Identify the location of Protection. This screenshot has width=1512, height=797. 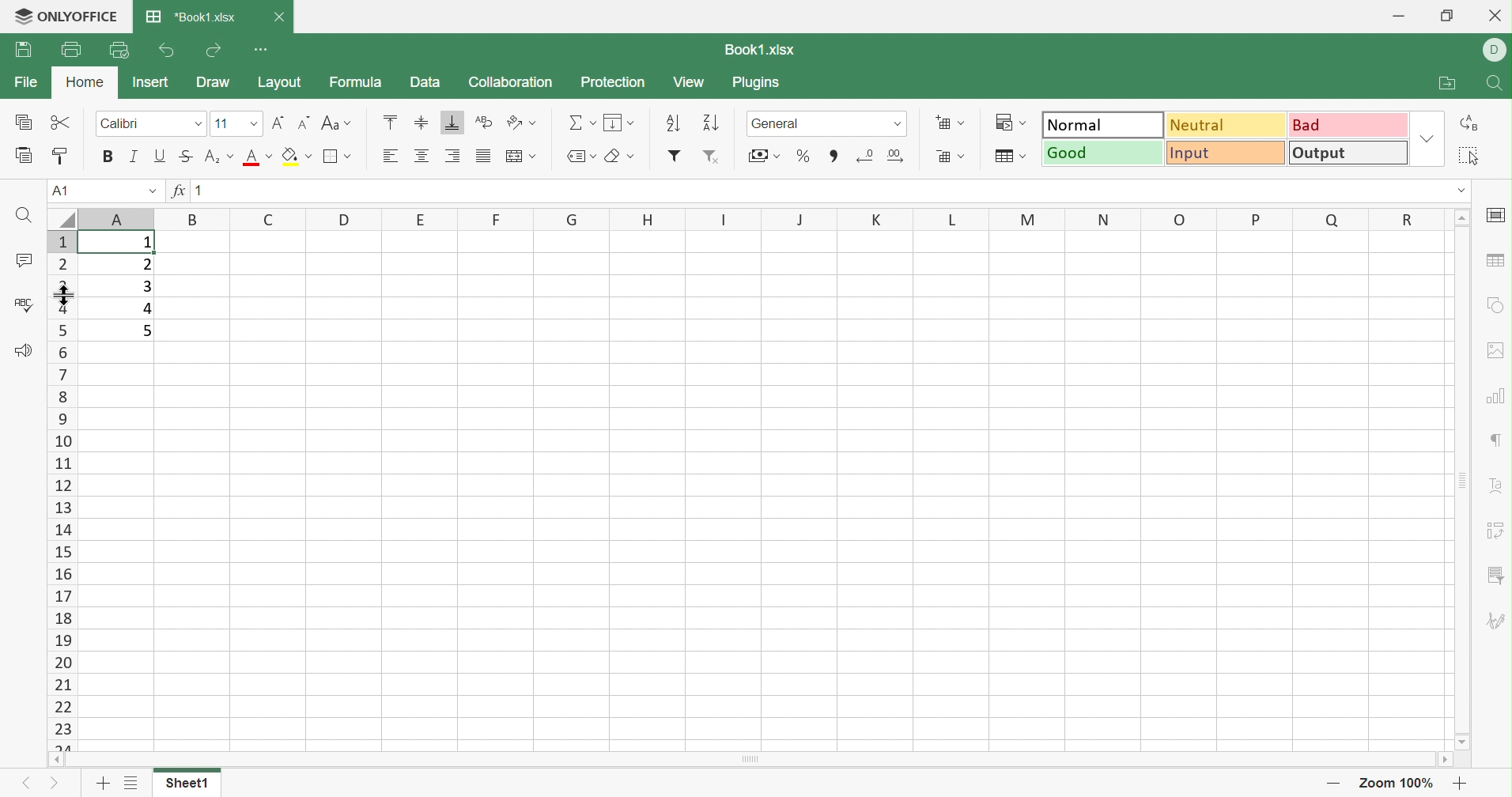
(610, 81).